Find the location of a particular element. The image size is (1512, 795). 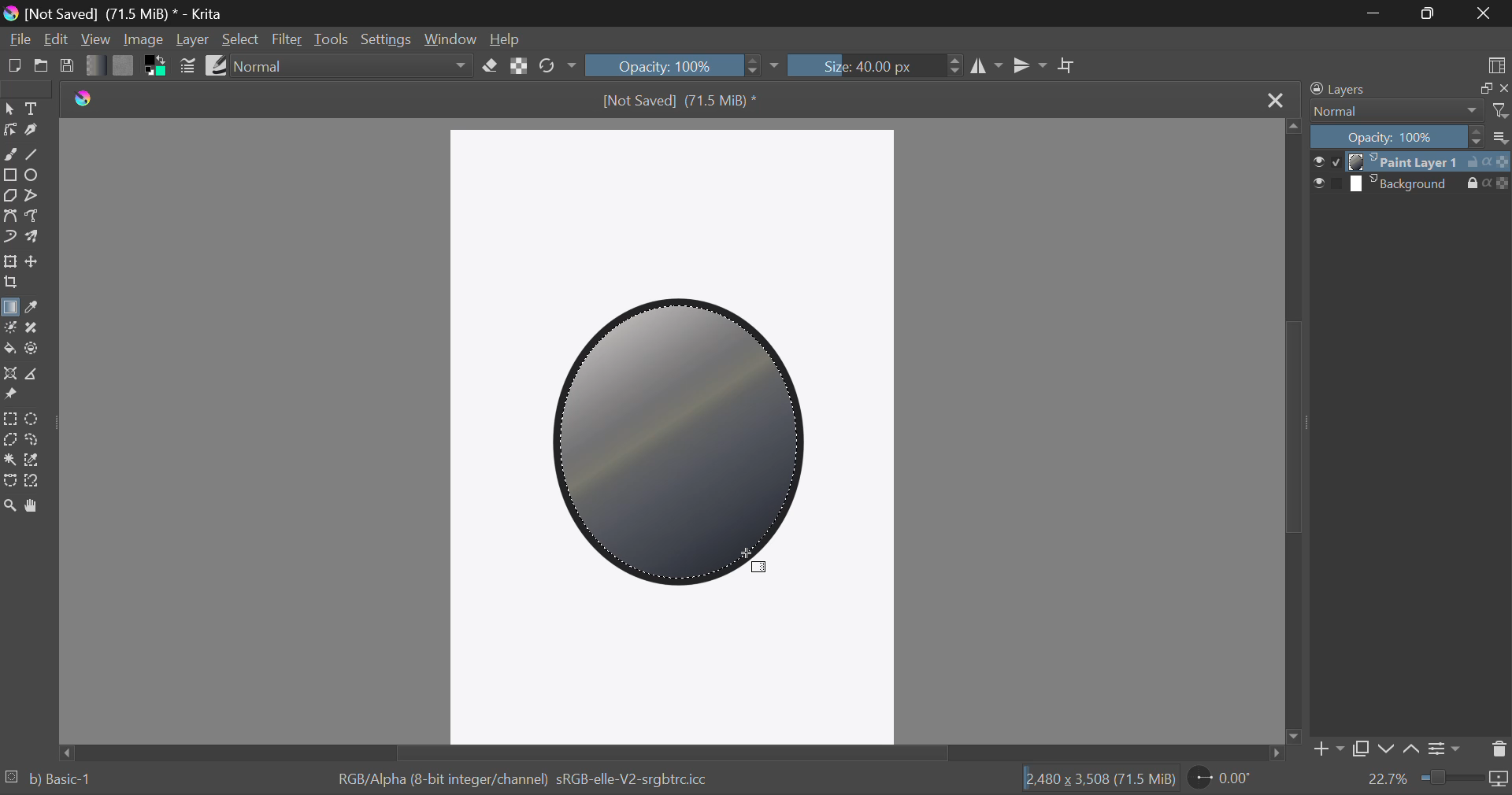

Text is located at coordinates (35, 109).